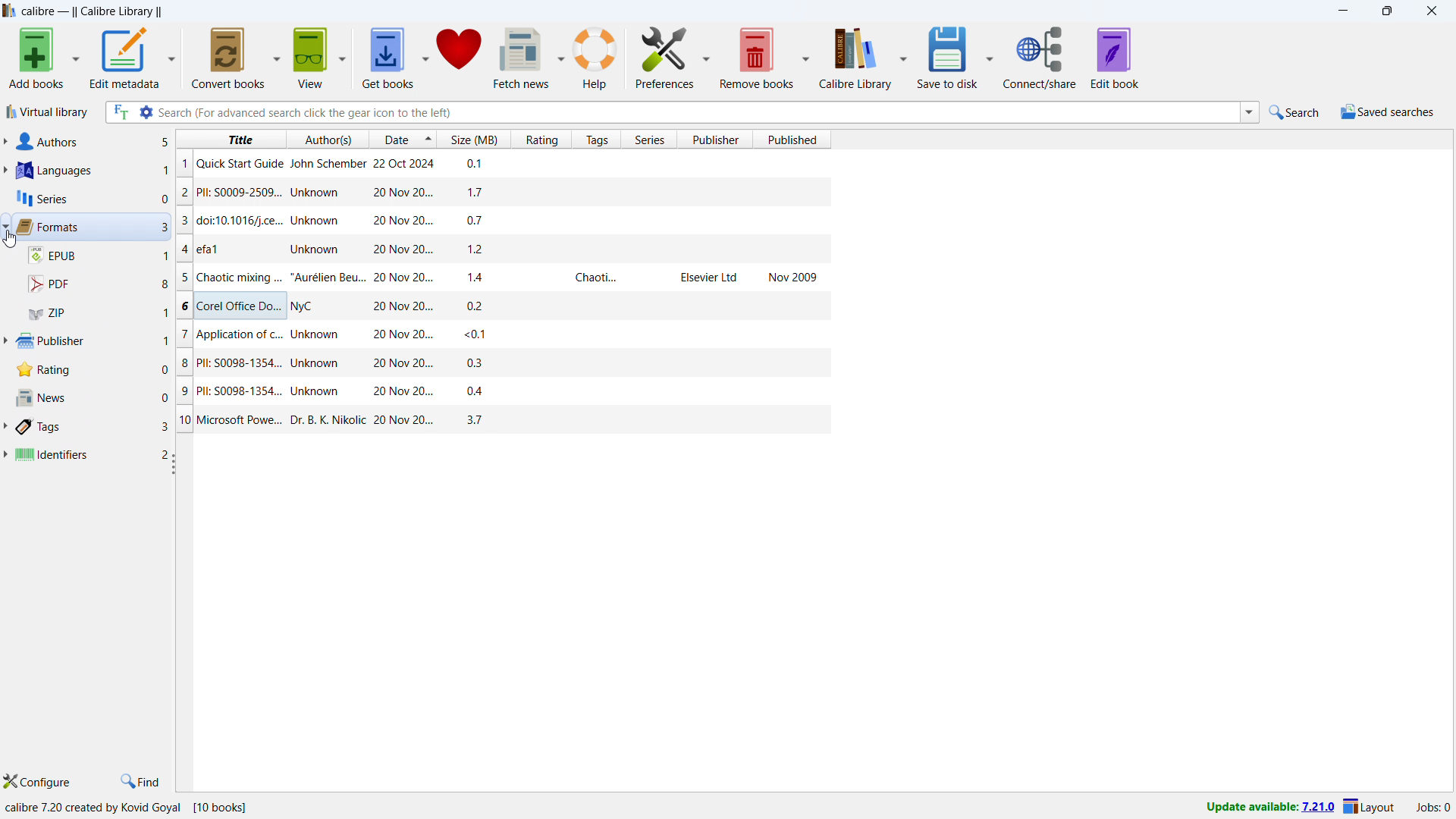 This screenshot has width=1456, height=819. Describe the element at coordinates (499, 334) in the screenshot. I see `one book entry` at that location.